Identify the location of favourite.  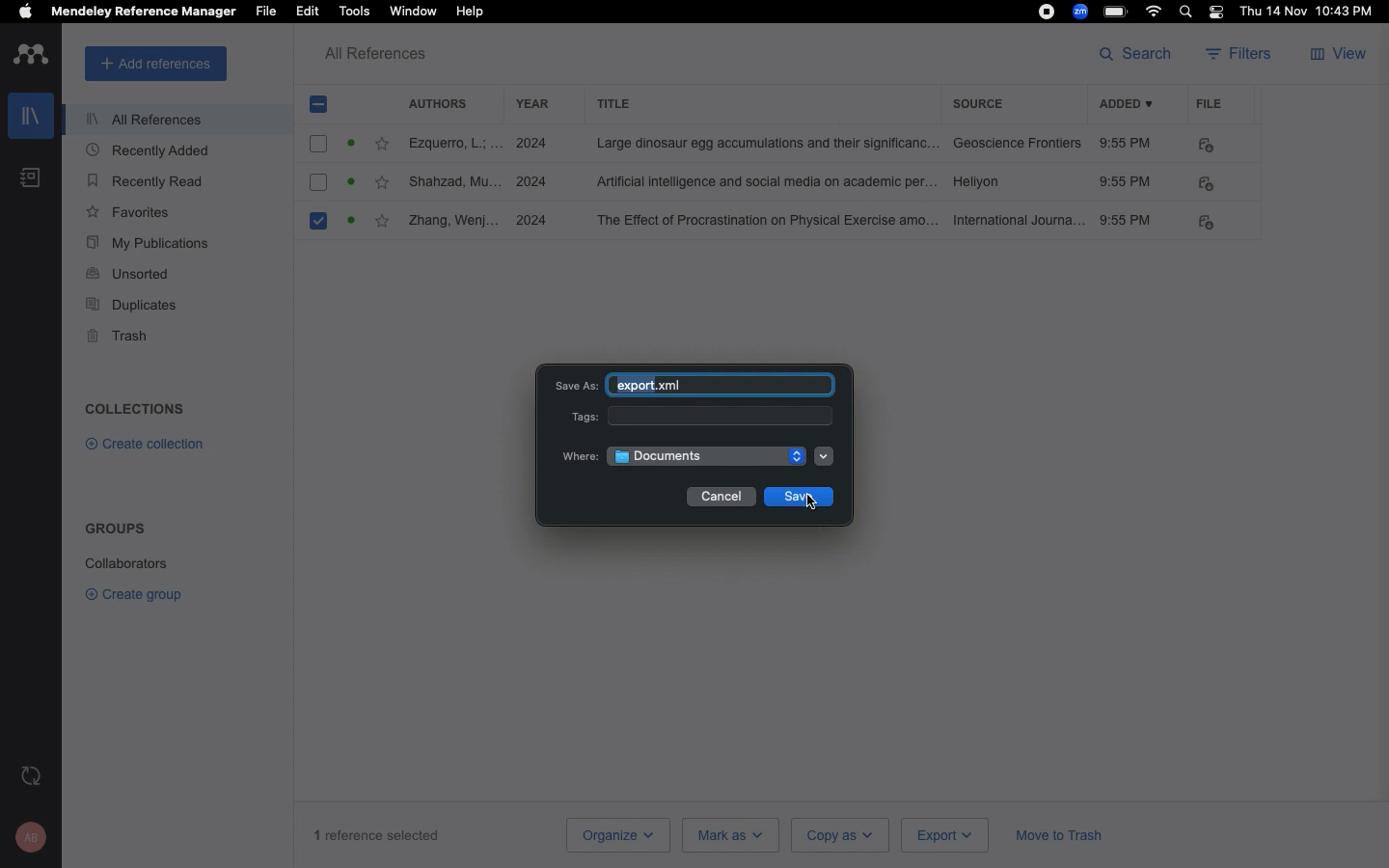
(384, 181).